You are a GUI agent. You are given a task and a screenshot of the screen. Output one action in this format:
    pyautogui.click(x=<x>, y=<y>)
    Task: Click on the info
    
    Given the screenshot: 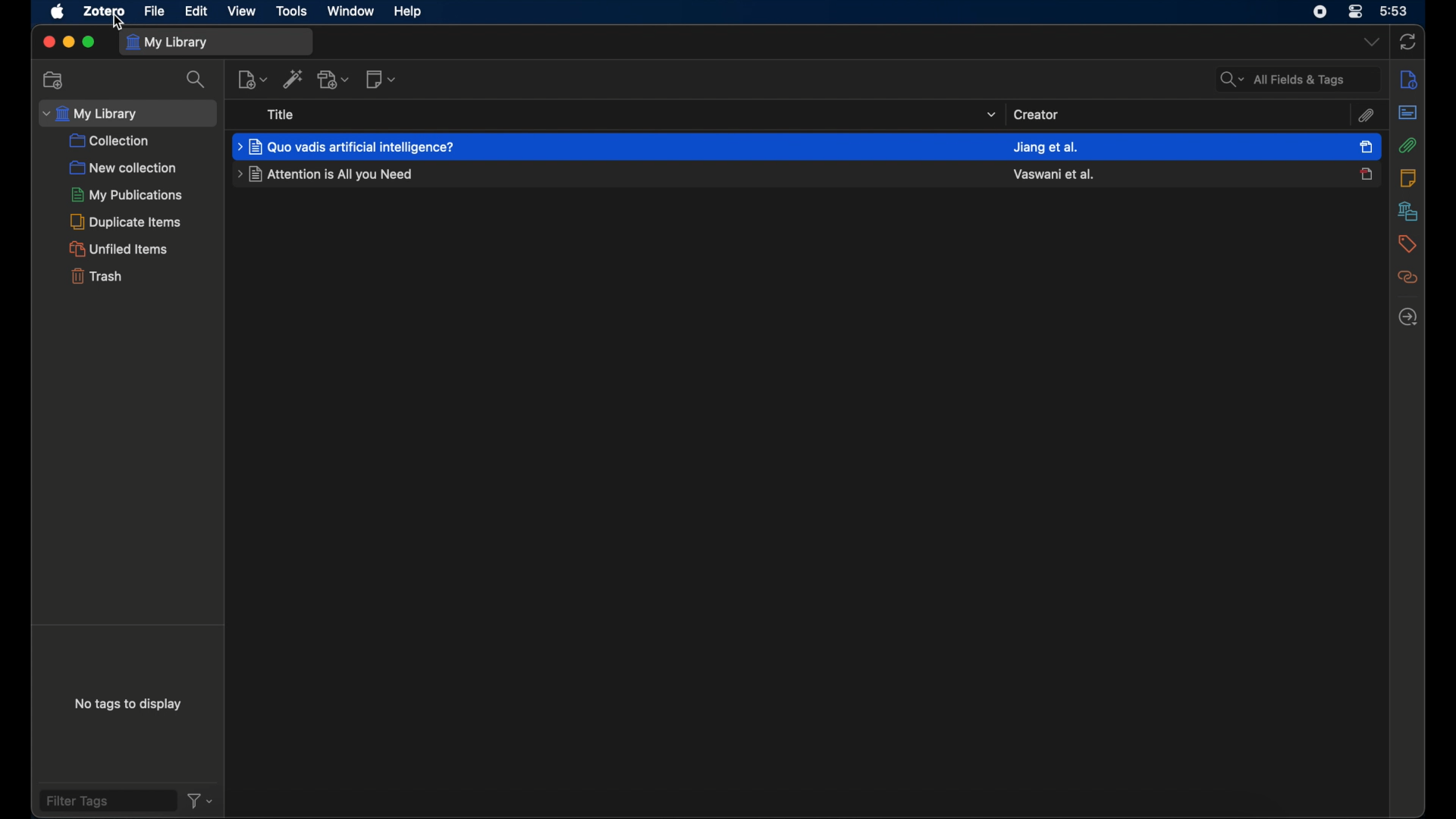 What is the action you would take?
    pyautogui.click(x=1408, y=80)
    